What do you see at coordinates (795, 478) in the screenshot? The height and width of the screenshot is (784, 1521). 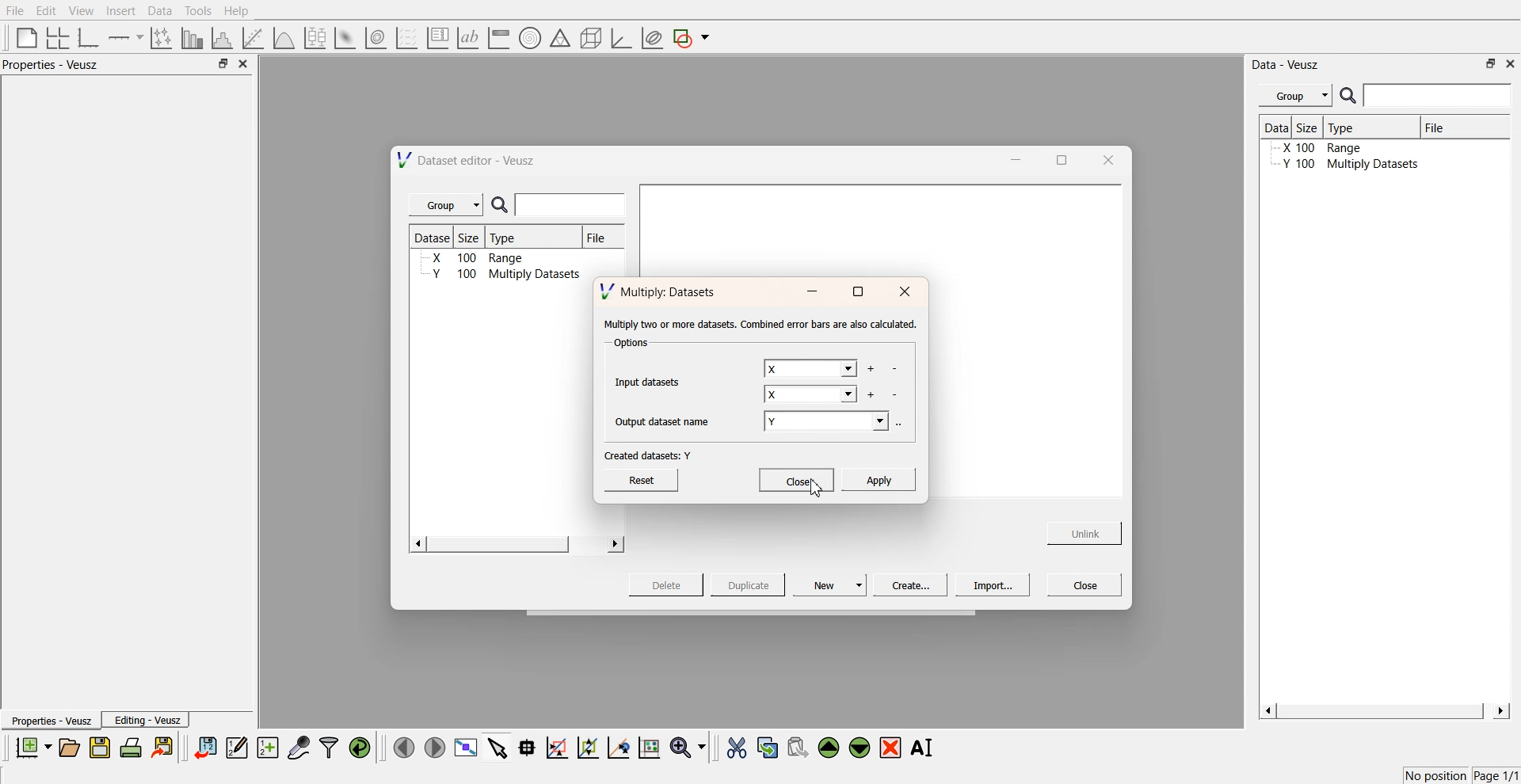 I see `Close.` at bounding box center [795, 478].